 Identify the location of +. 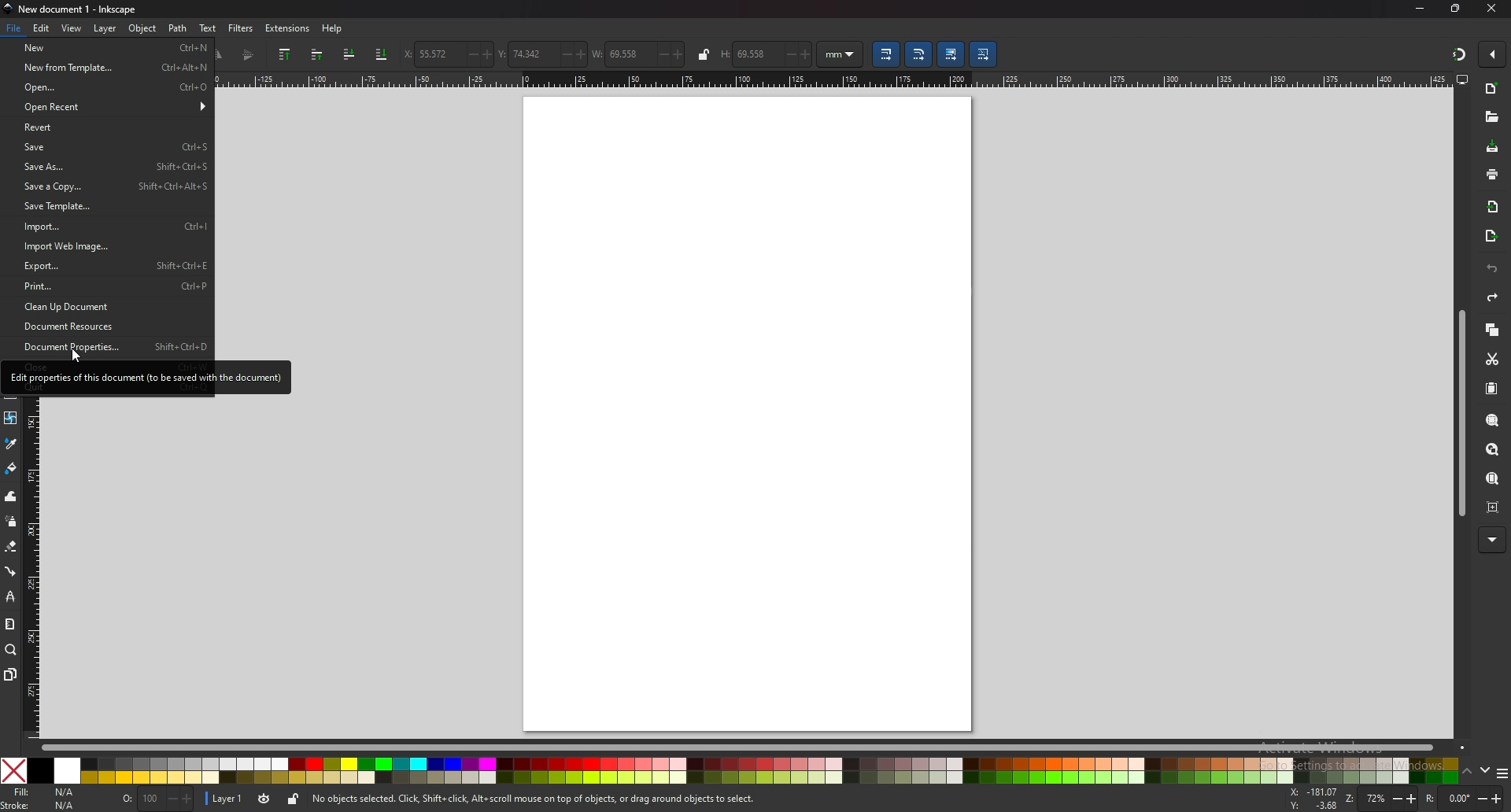
(808, 55).